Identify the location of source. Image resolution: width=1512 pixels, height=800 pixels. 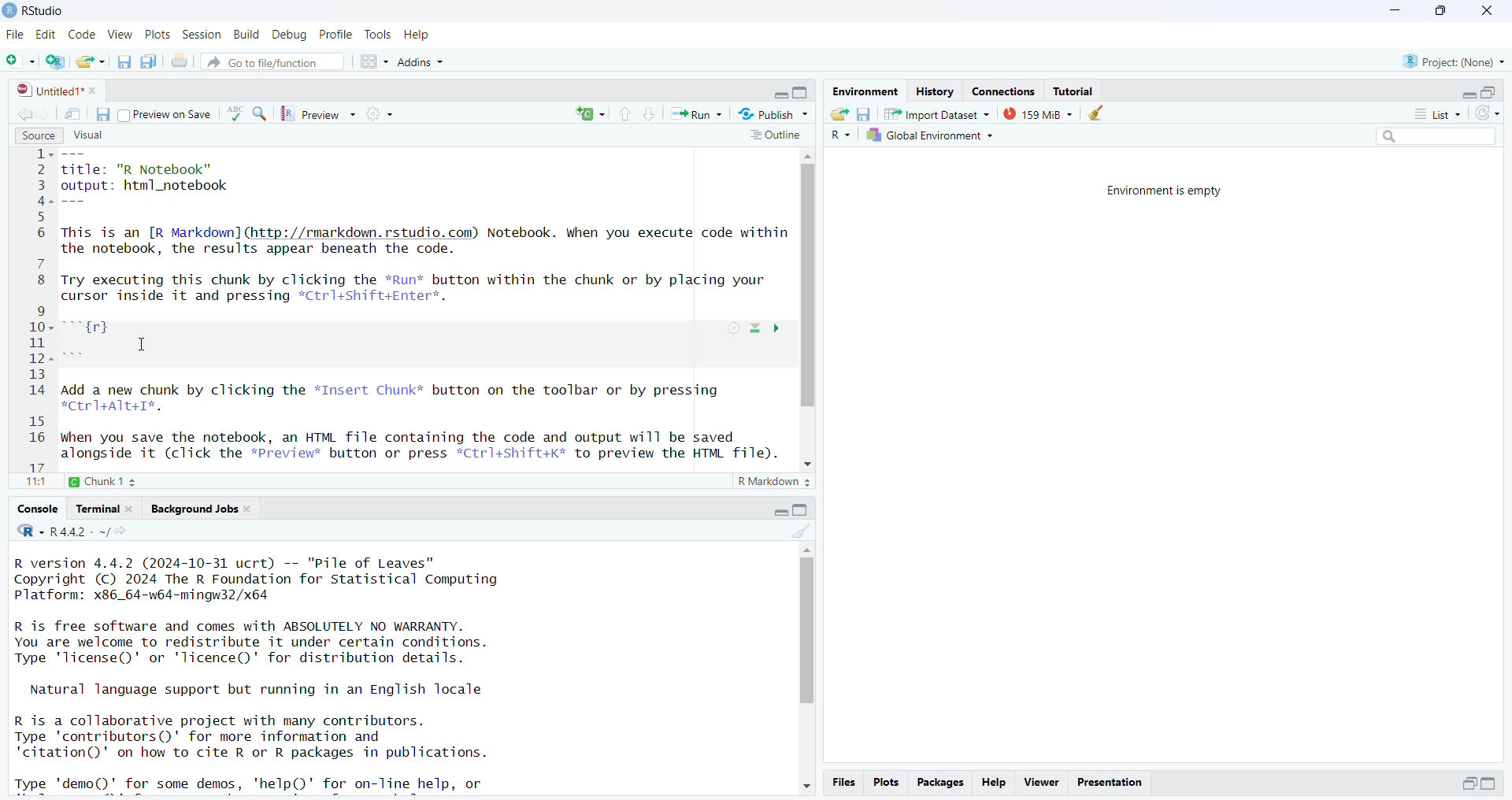
(428, 307).